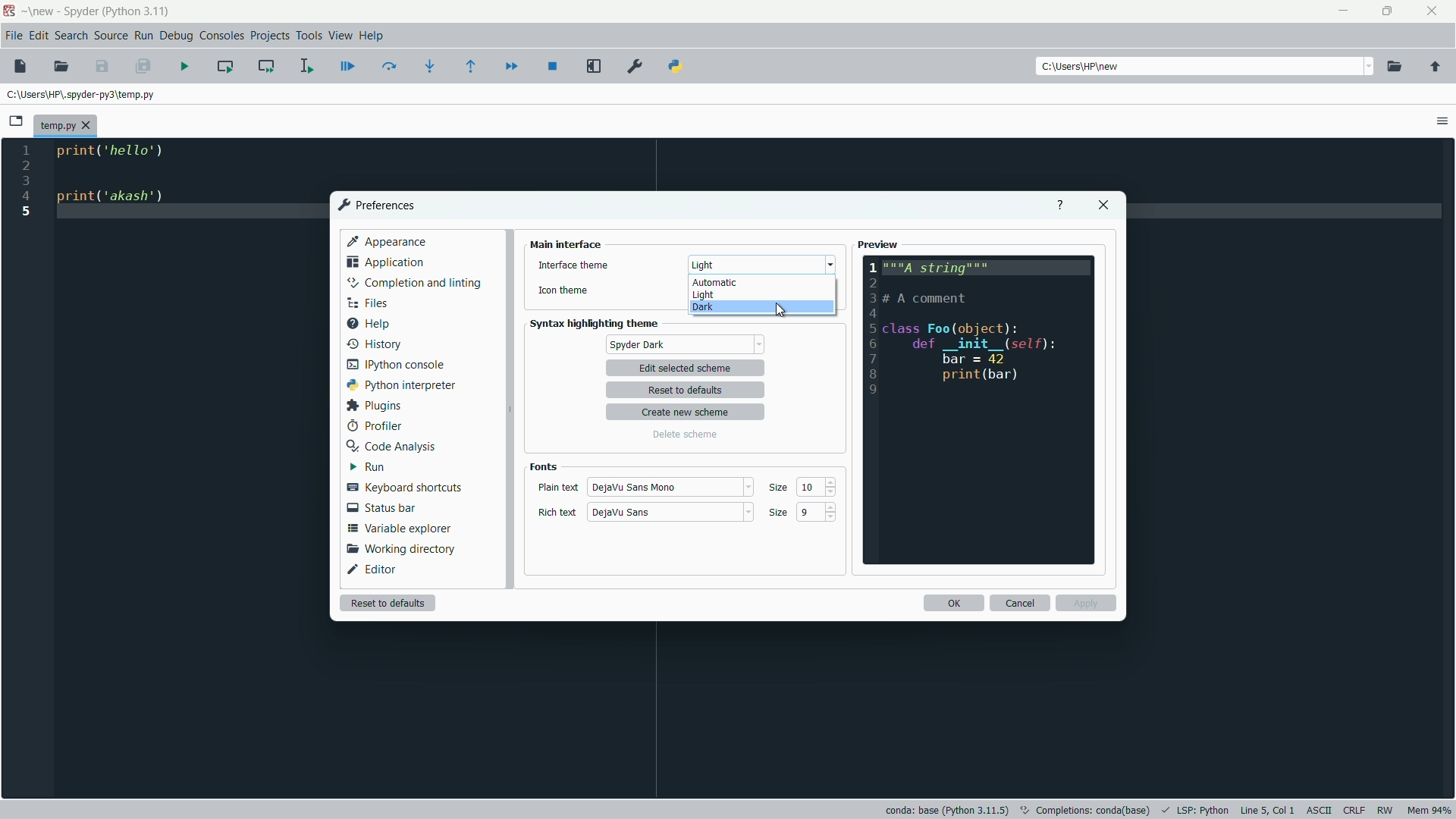 Image resolution: width=1456 pixels, height=819 pixels. Describe the element at coordinates (400, 529) in the screenshot. I see `variable explorer` at that location.